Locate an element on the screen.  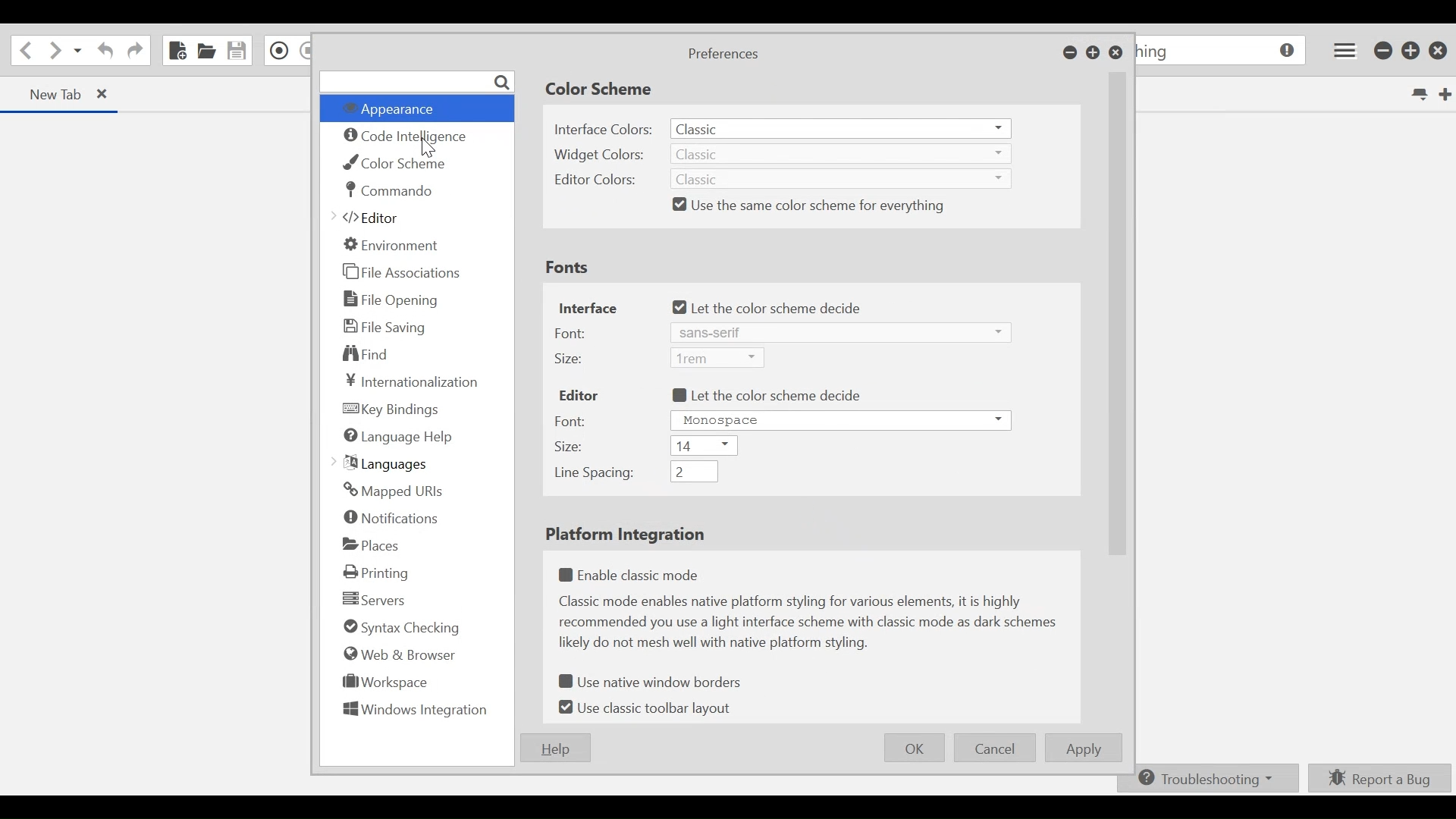
Size: is located at coordinates (570, 447).